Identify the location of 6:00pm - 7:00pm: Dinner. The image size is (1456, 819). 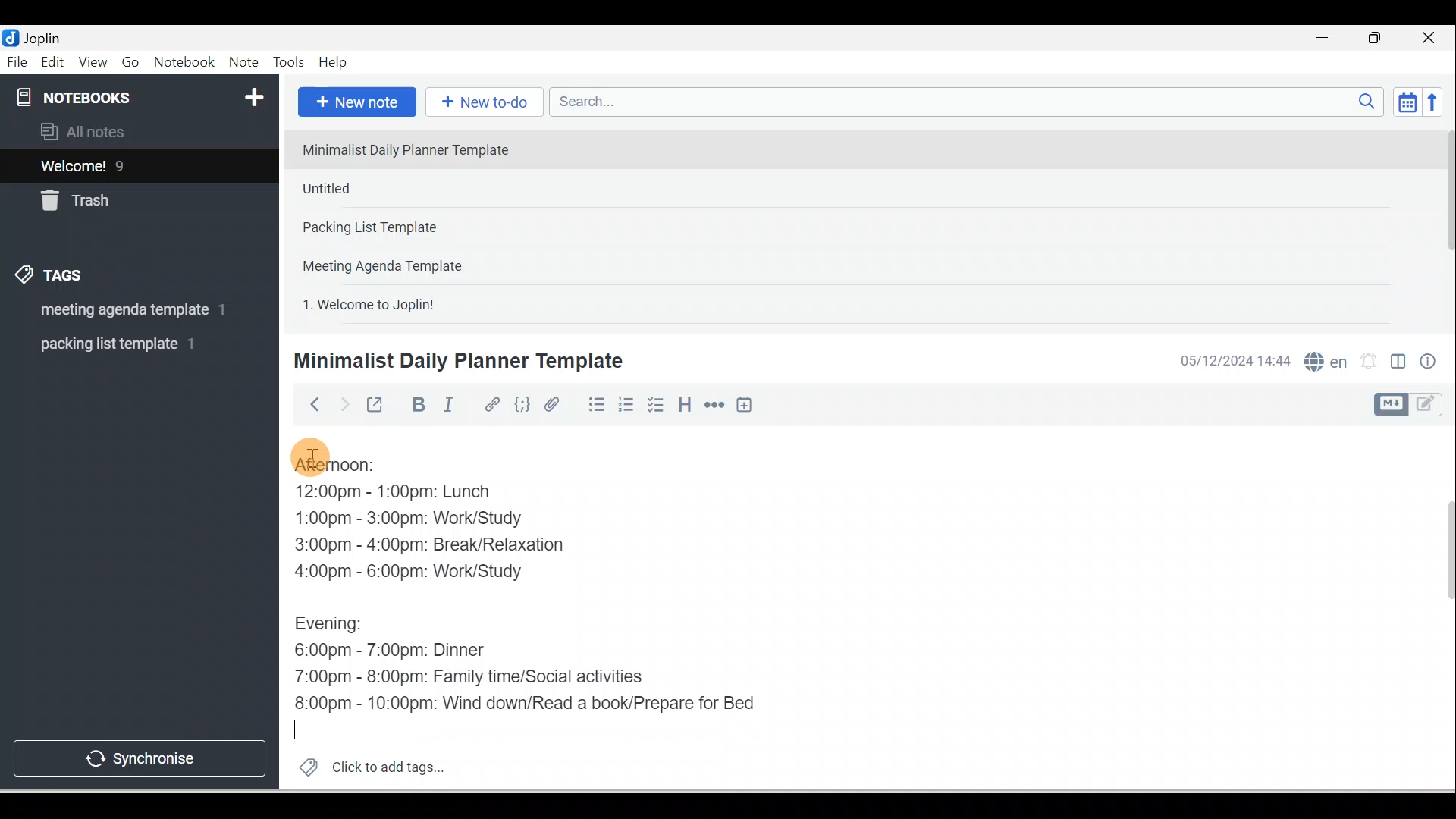
(401, 651).